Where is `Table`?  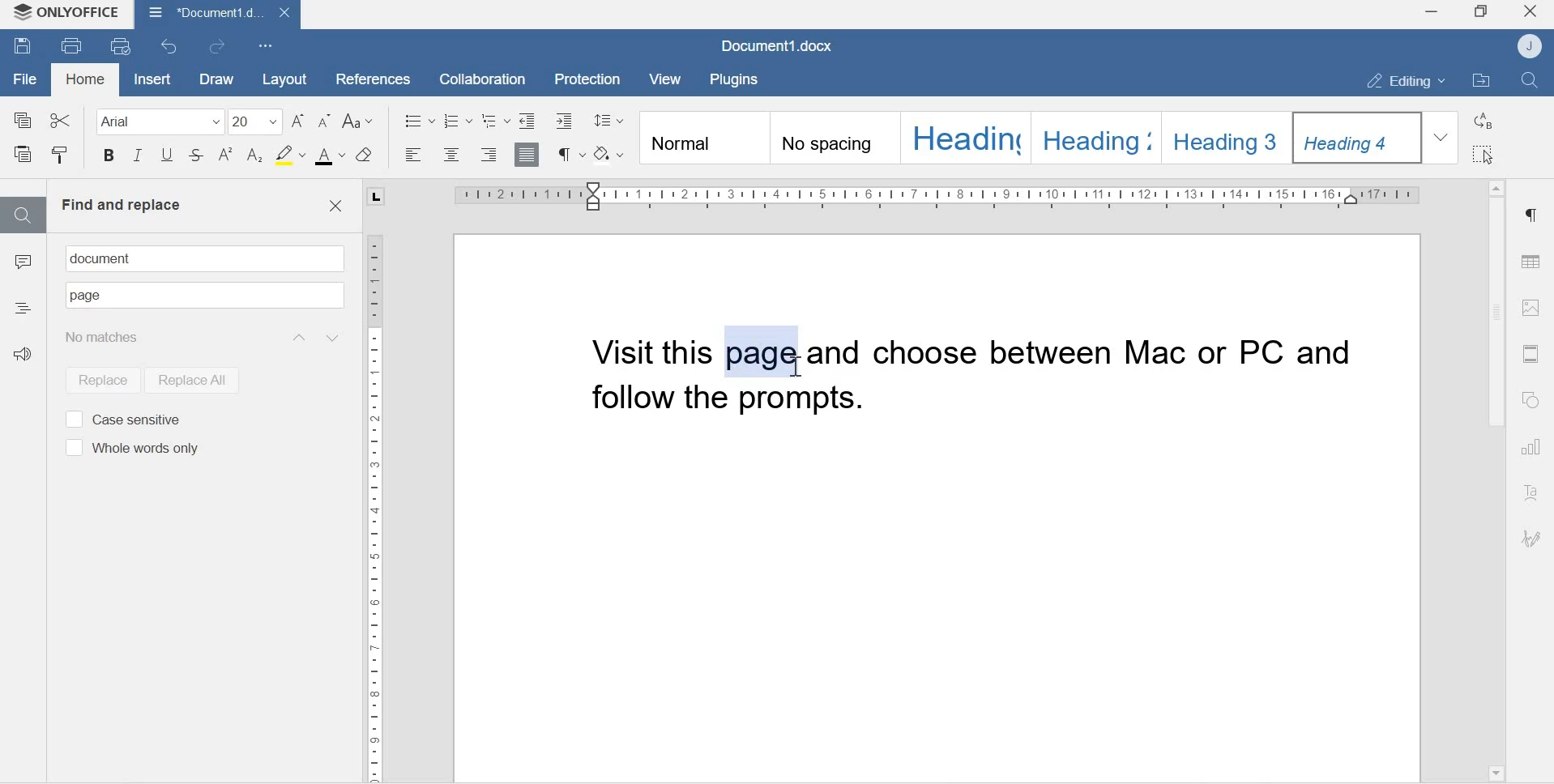
Table is located at coordinates (1531, 258).